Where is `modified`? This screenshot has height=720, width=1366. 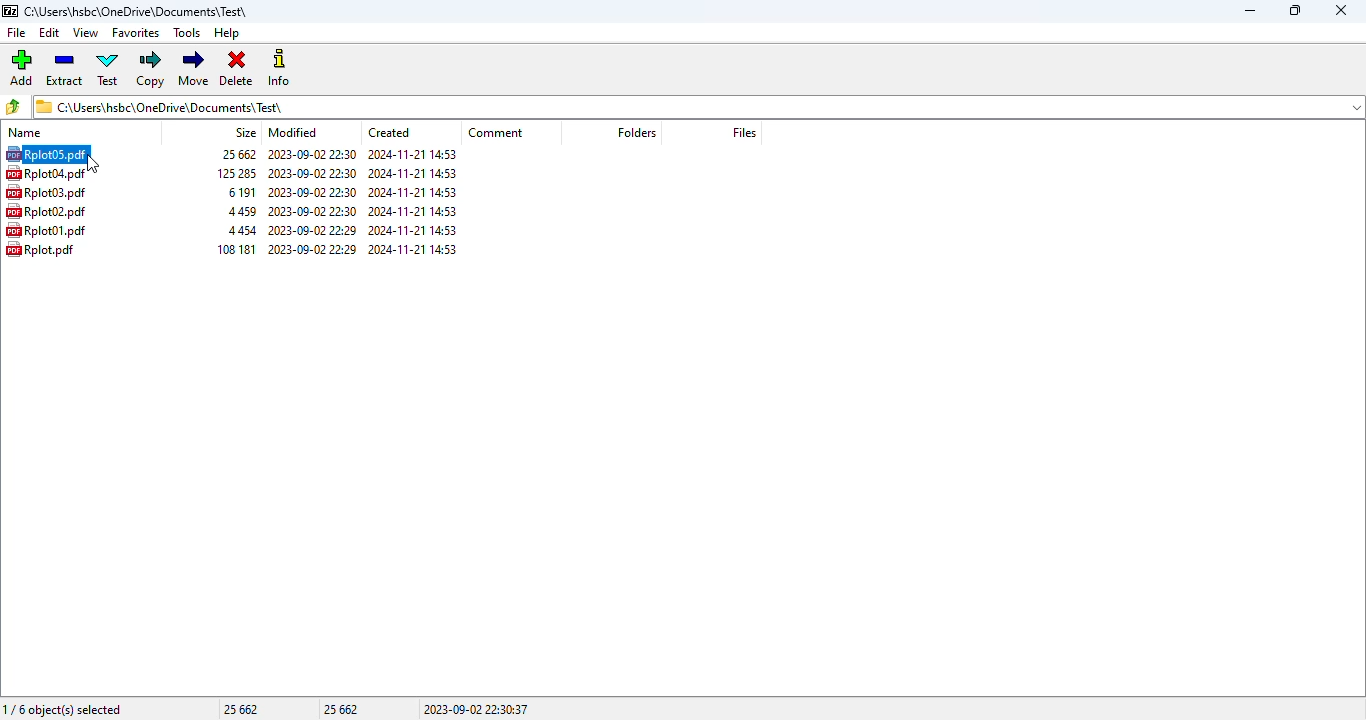
modified is located at coordinates (293, 132).